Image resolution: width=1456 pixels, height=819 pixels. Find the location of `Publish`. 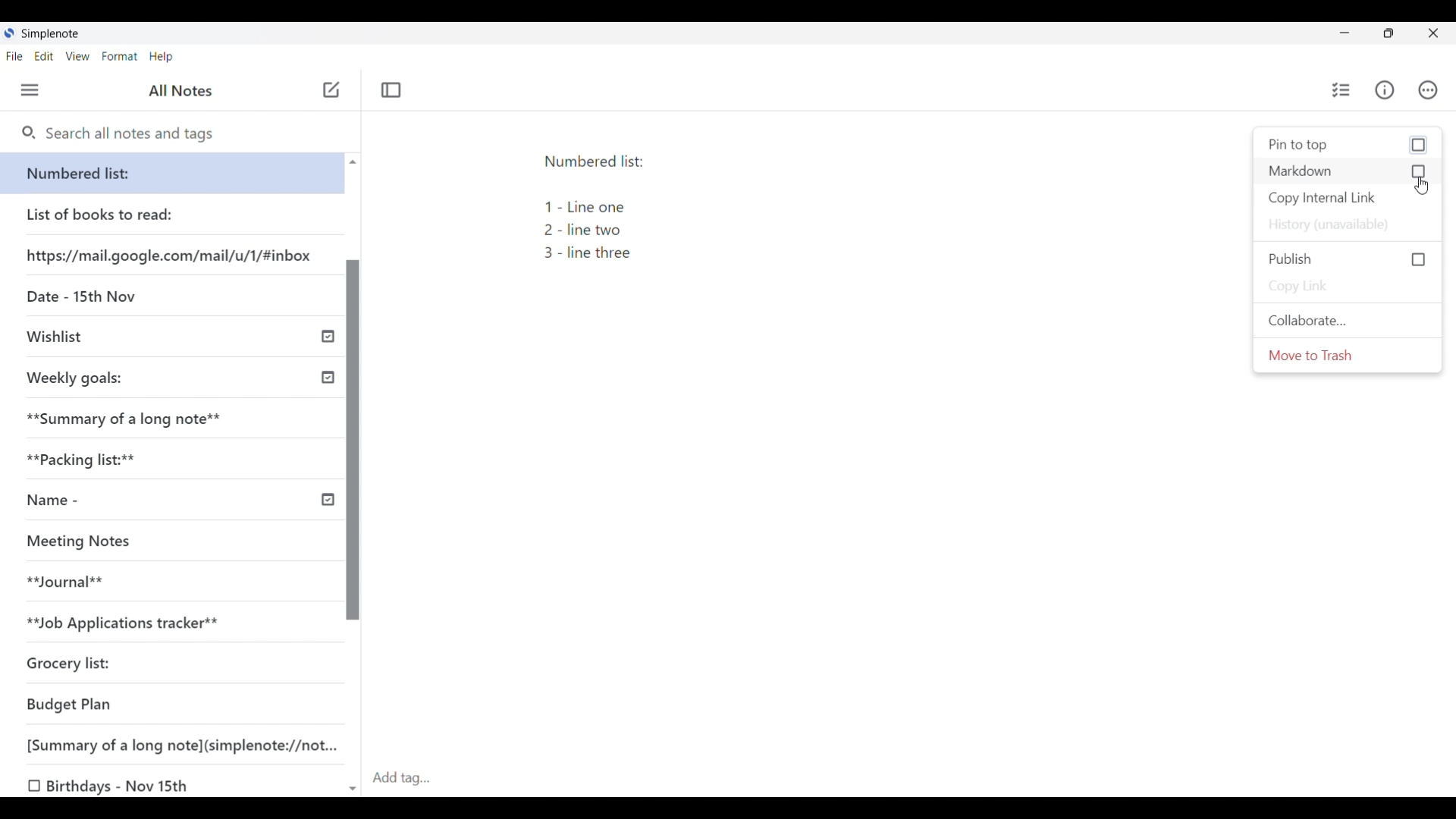

Publish is located at coordinates (1298, 259).